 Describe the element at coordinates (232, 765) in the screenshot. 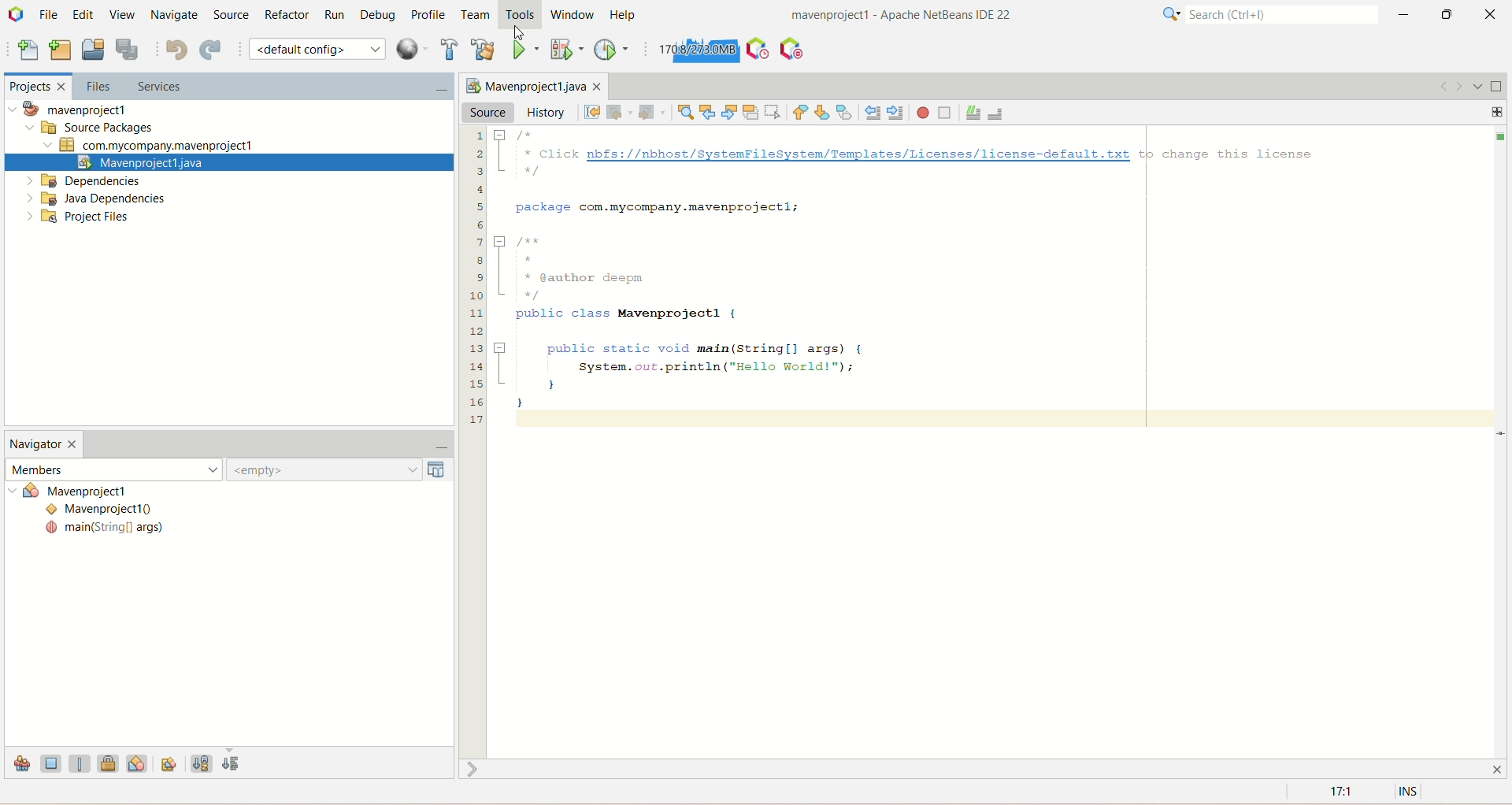

I see `sort by source` at that location.